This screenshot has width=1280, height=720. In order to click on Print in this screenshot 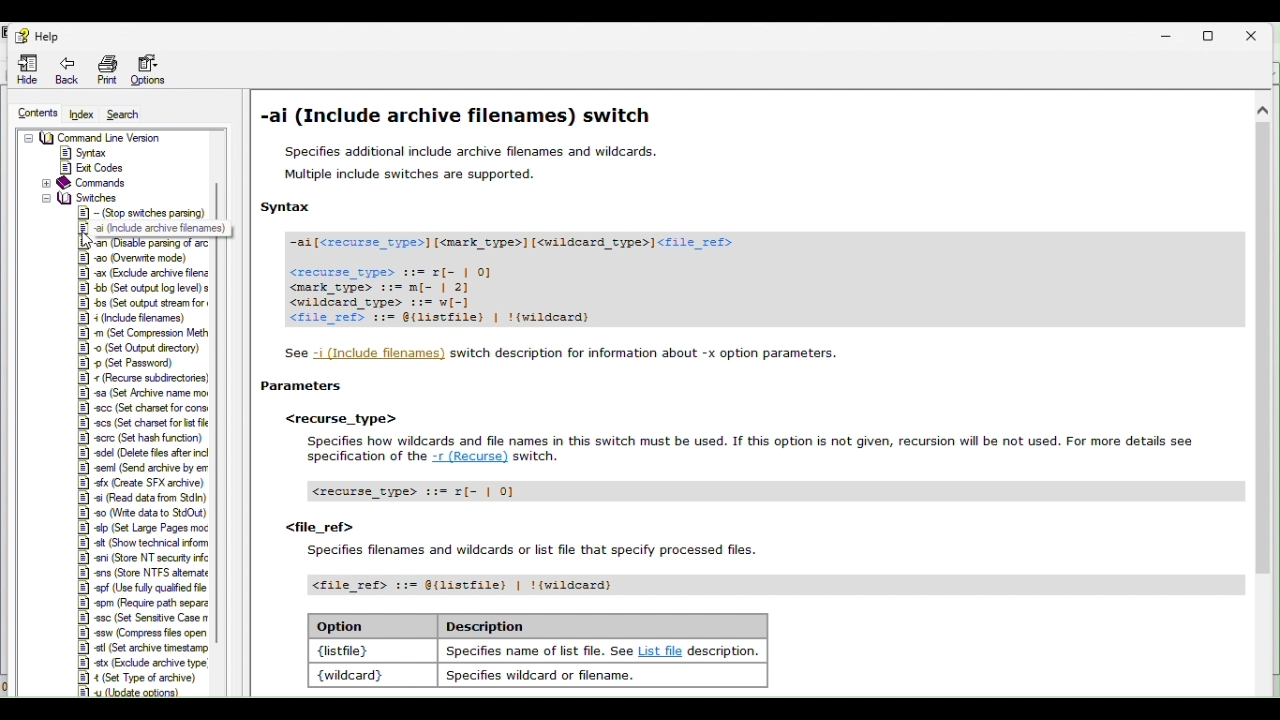, I will do `click(103, 67)`.